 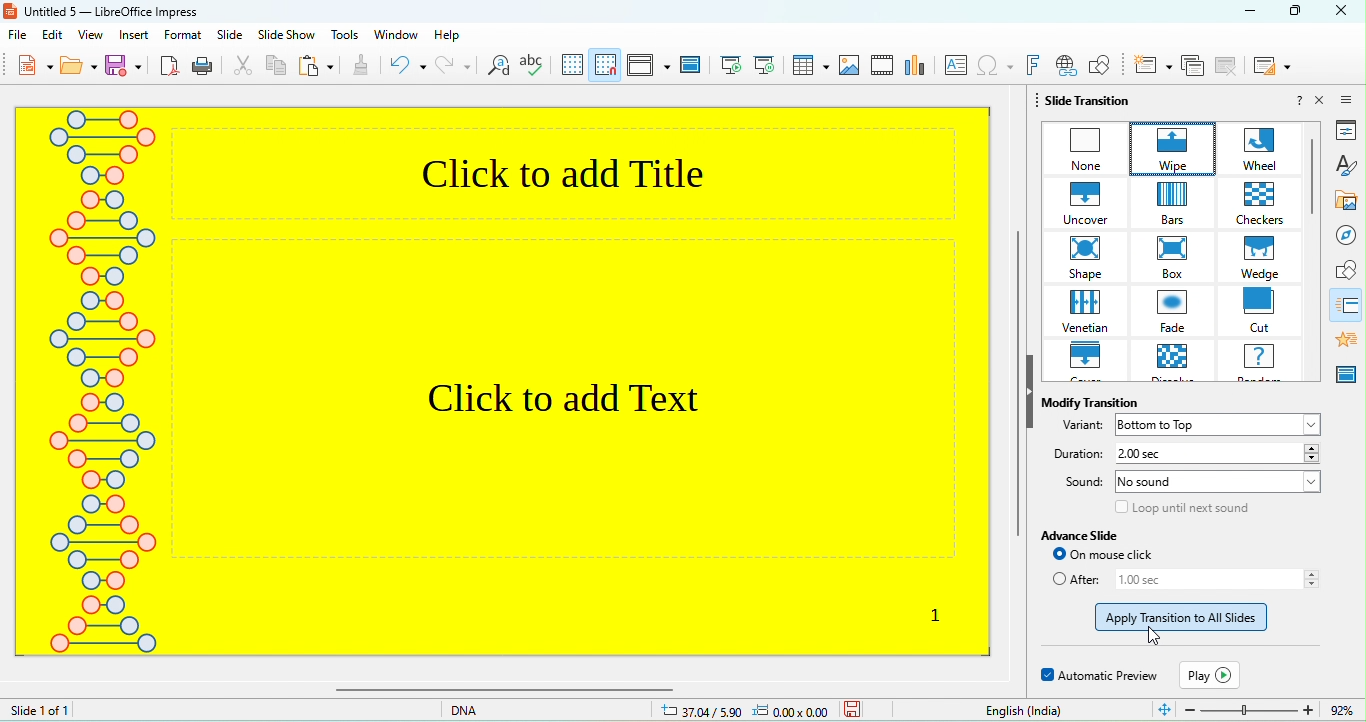 What do you see at coordinates (661, 691) in the screenshot?
I see `horizontal scroll bar` at bounding box center [661, 691].